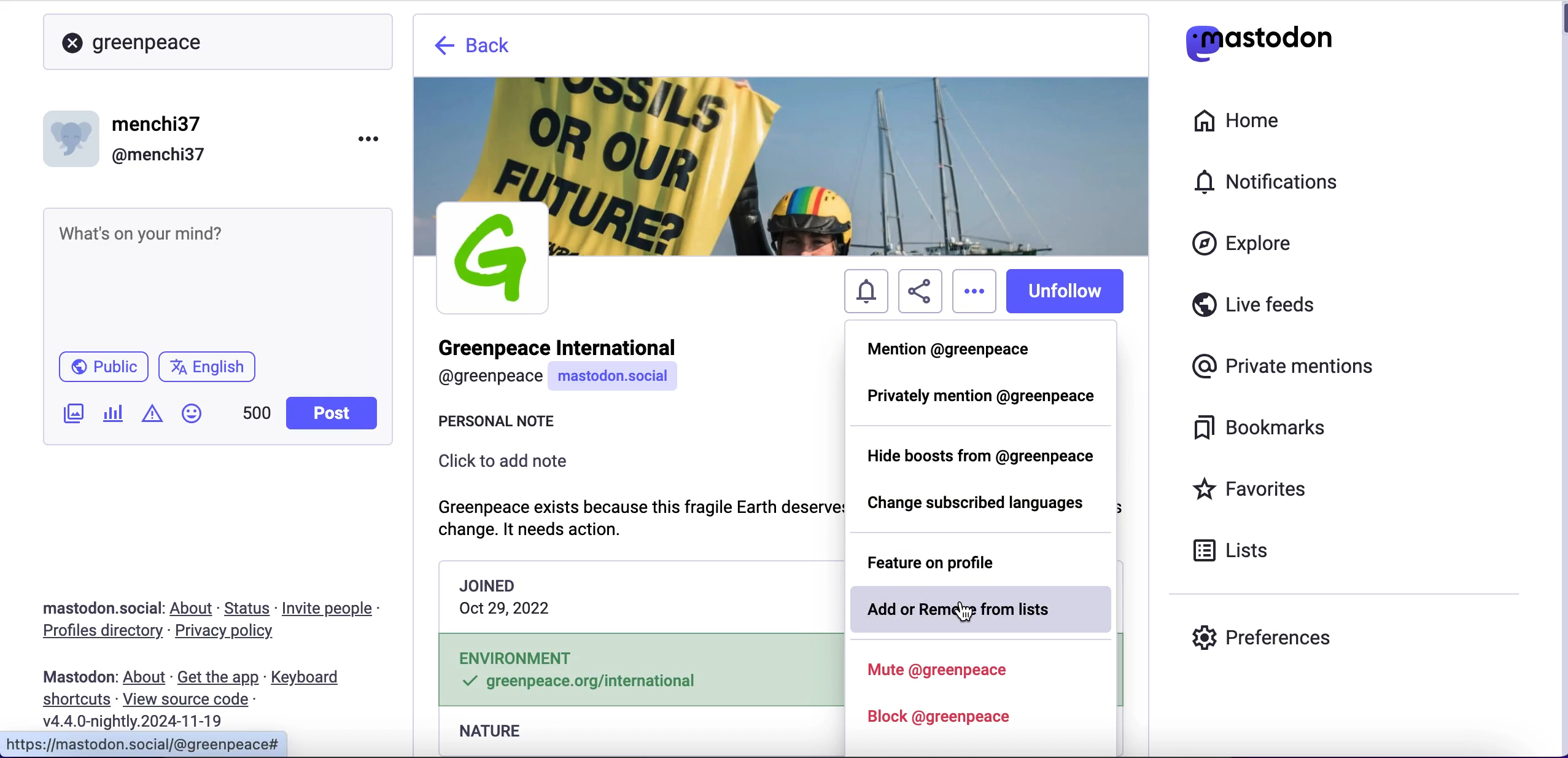  What do you see at coordinates (643, 673) in the screenshot?
I see `environment` at bounding box center [643, 673].